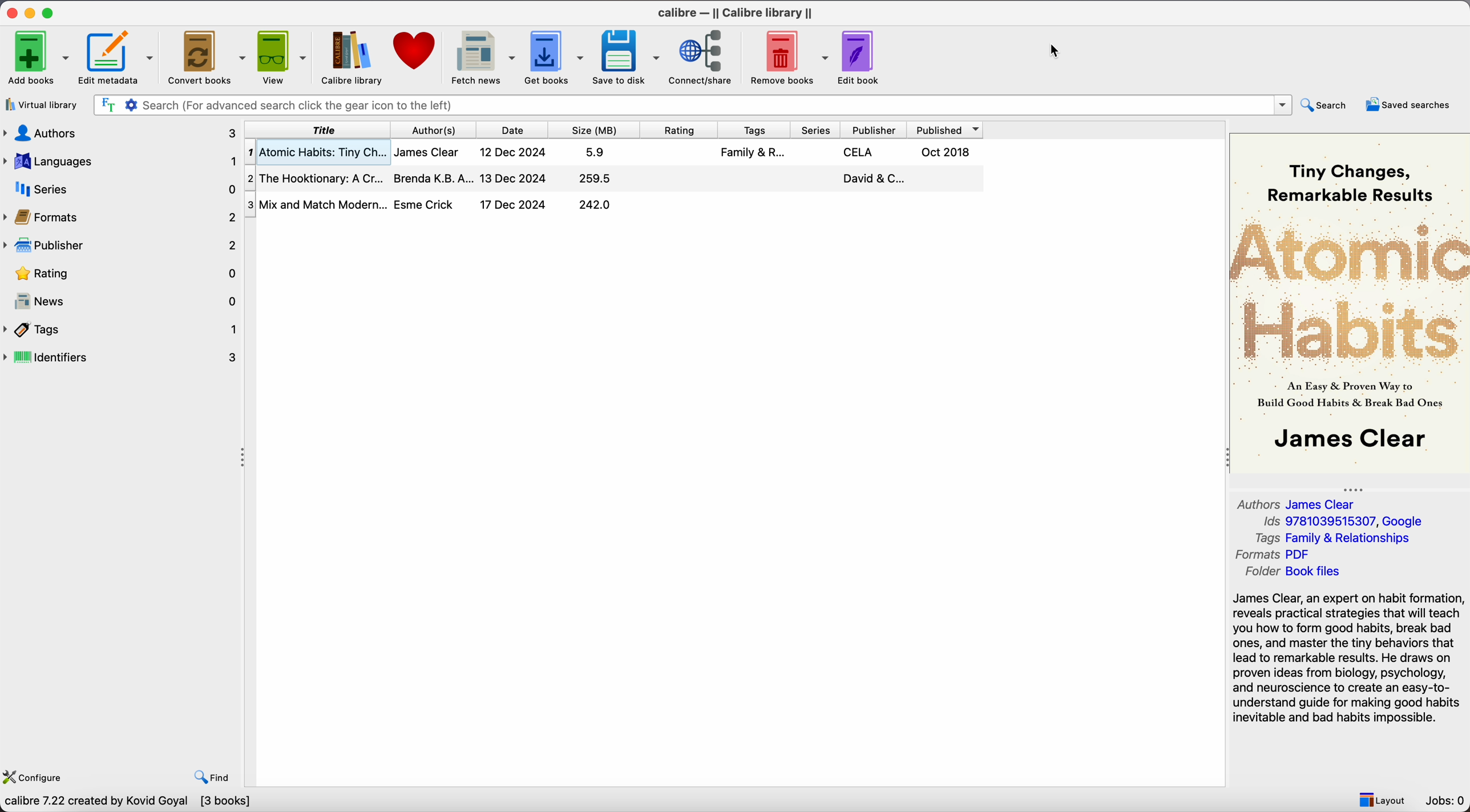 Image resolution: width=1470 pixels, height=812 pixels. I want to click on Folder Book files, so click(1293, 572).